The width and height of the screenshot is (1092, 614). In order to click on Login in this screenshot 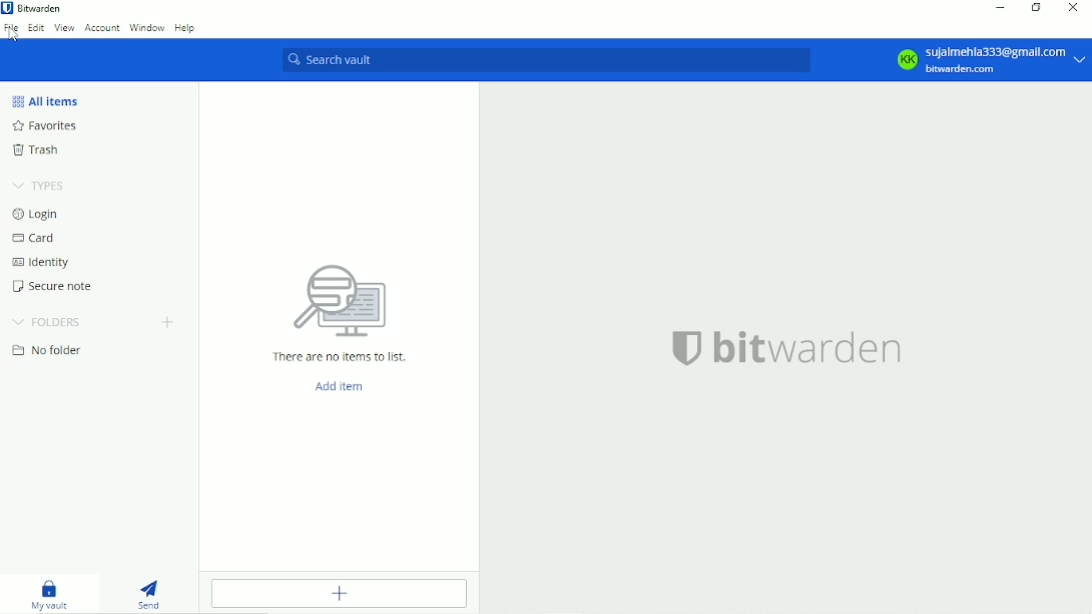, I will do `click(40, 215)`.